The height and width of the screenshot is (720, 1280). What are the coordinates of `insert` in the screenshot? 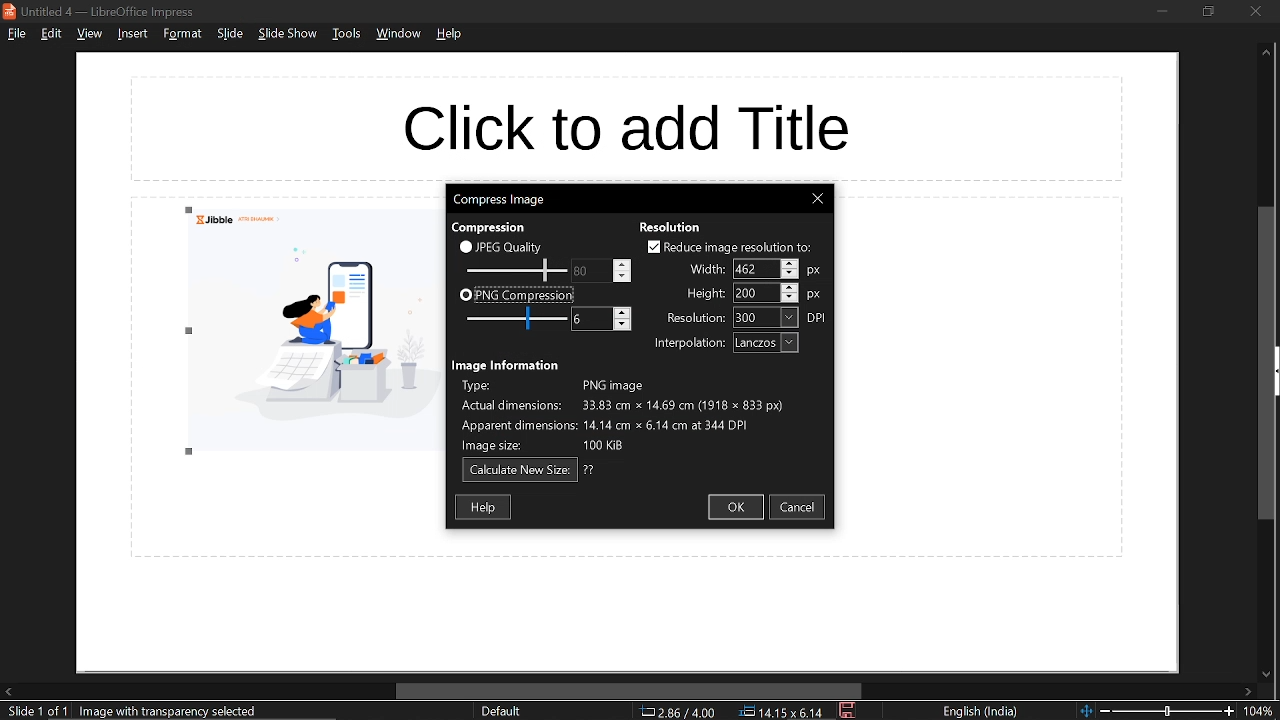 It's located at (130, 33).